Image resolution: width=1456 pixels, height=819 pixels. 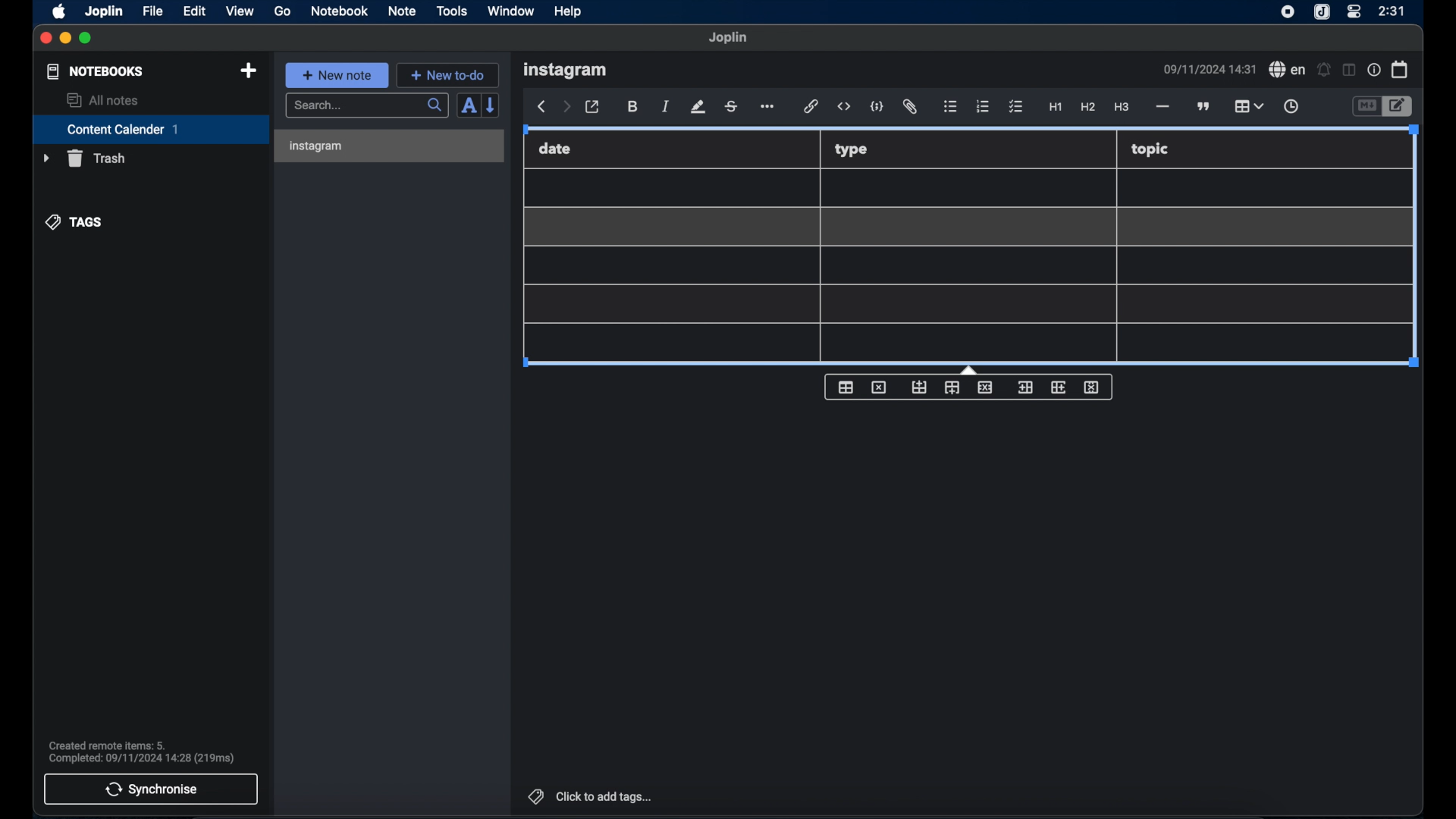 What do you see at coordinates (1288, 13) in the screenshot?
I see `screen recorder icon` at bounding box center [1288, 13].